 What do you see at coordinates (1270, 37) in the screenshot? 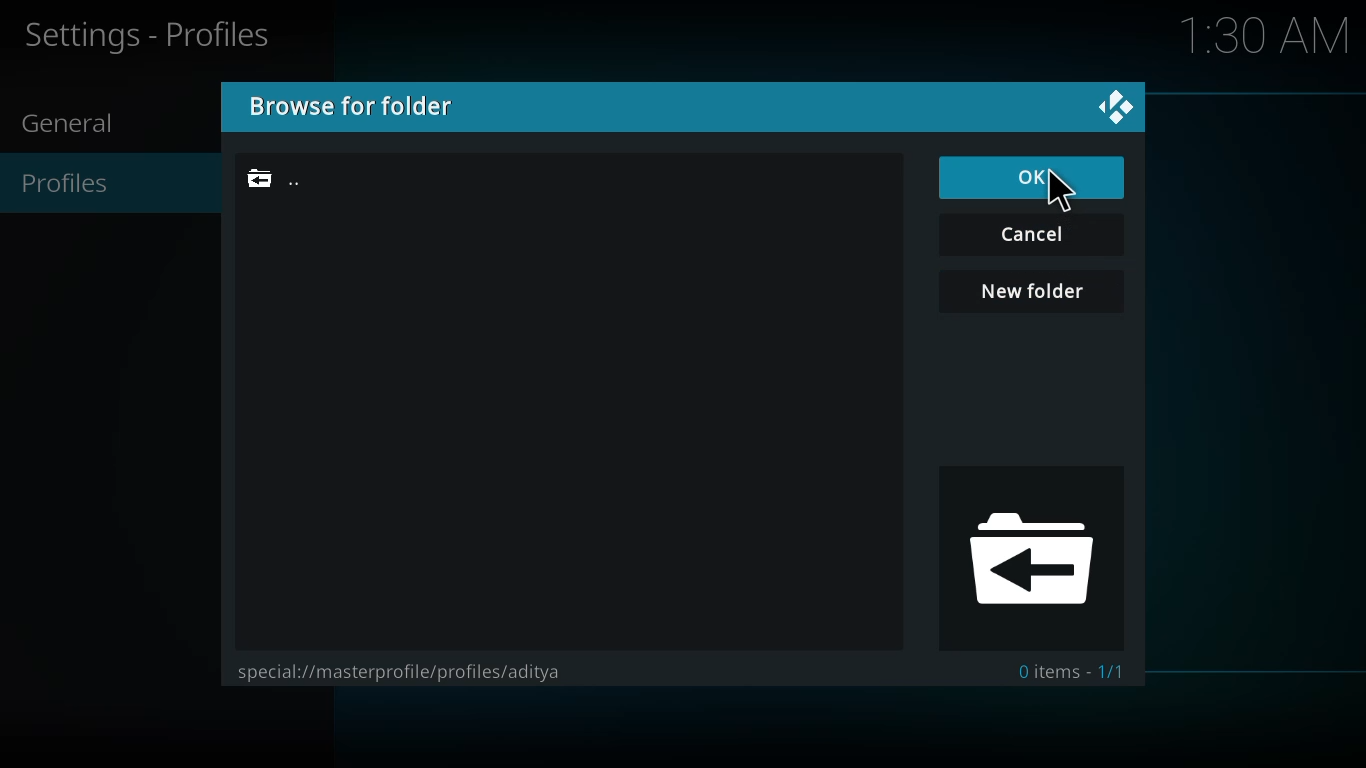
I see `time` at bounding box center [1270, 37].